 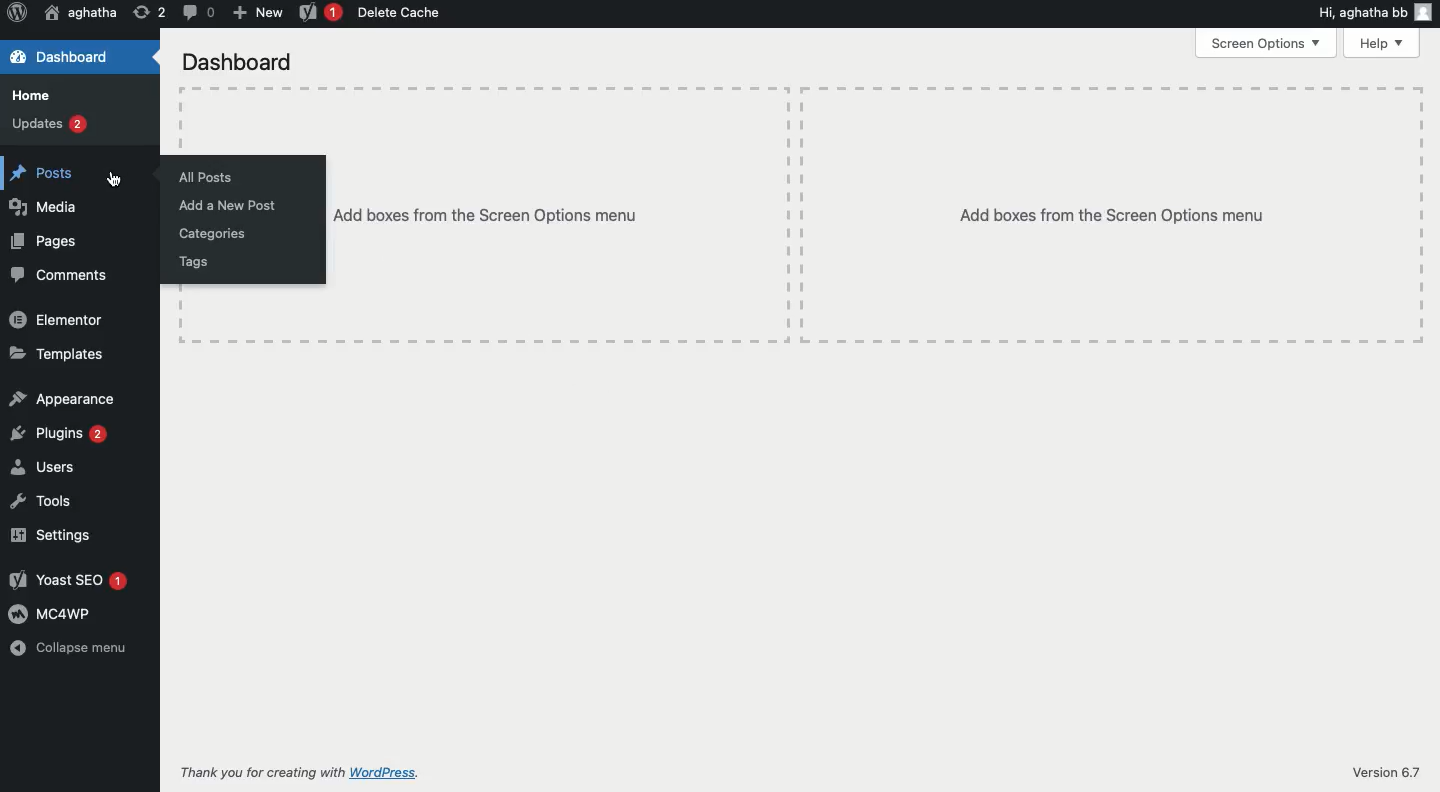 What do you see at coordinates (1422, 213) in the screenshot?
I see `Table line` at bounding box center [1422, 213].